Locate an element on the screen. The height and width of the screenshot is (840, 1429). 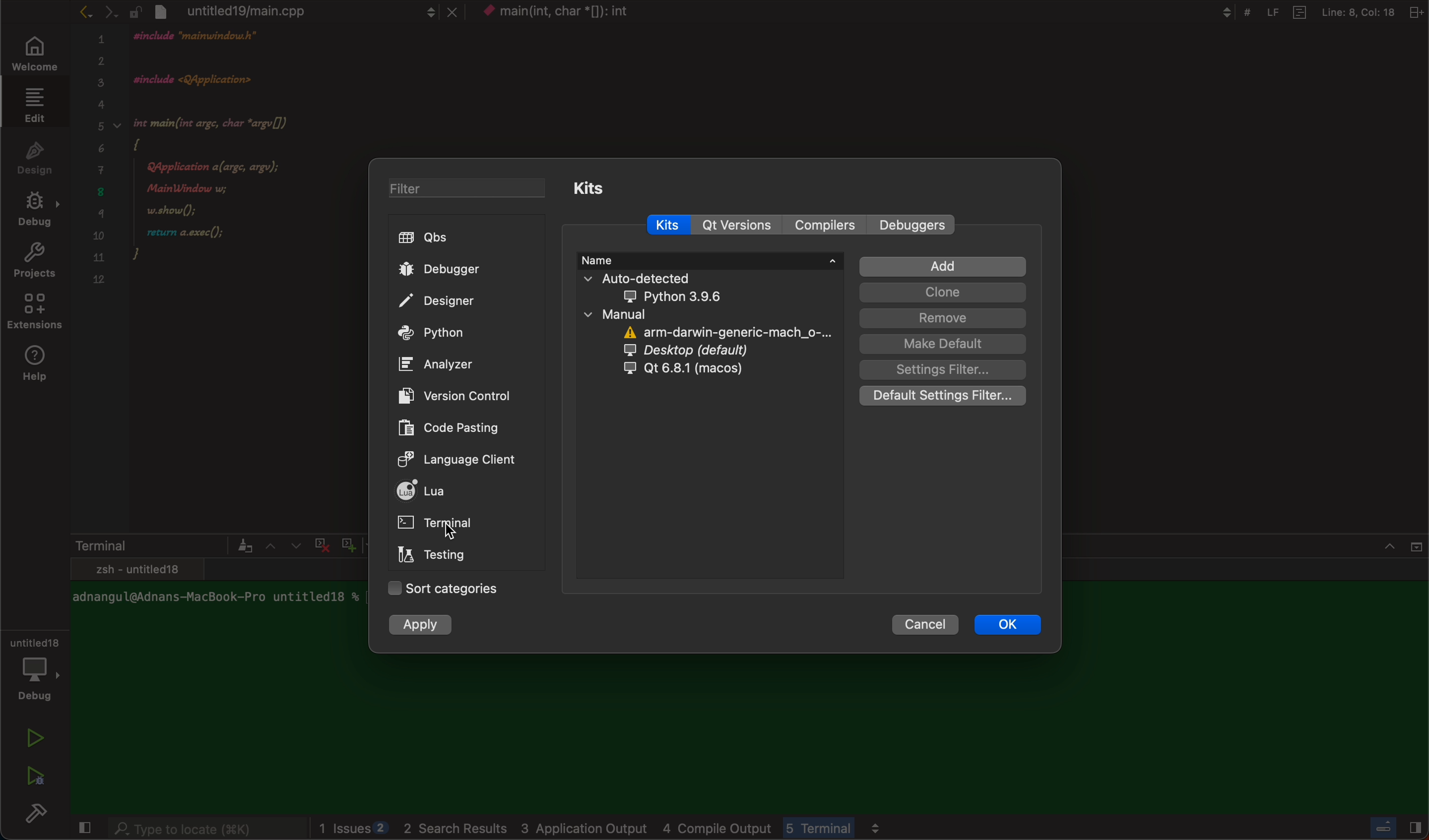
cancel is located at coordinates (928, 625).